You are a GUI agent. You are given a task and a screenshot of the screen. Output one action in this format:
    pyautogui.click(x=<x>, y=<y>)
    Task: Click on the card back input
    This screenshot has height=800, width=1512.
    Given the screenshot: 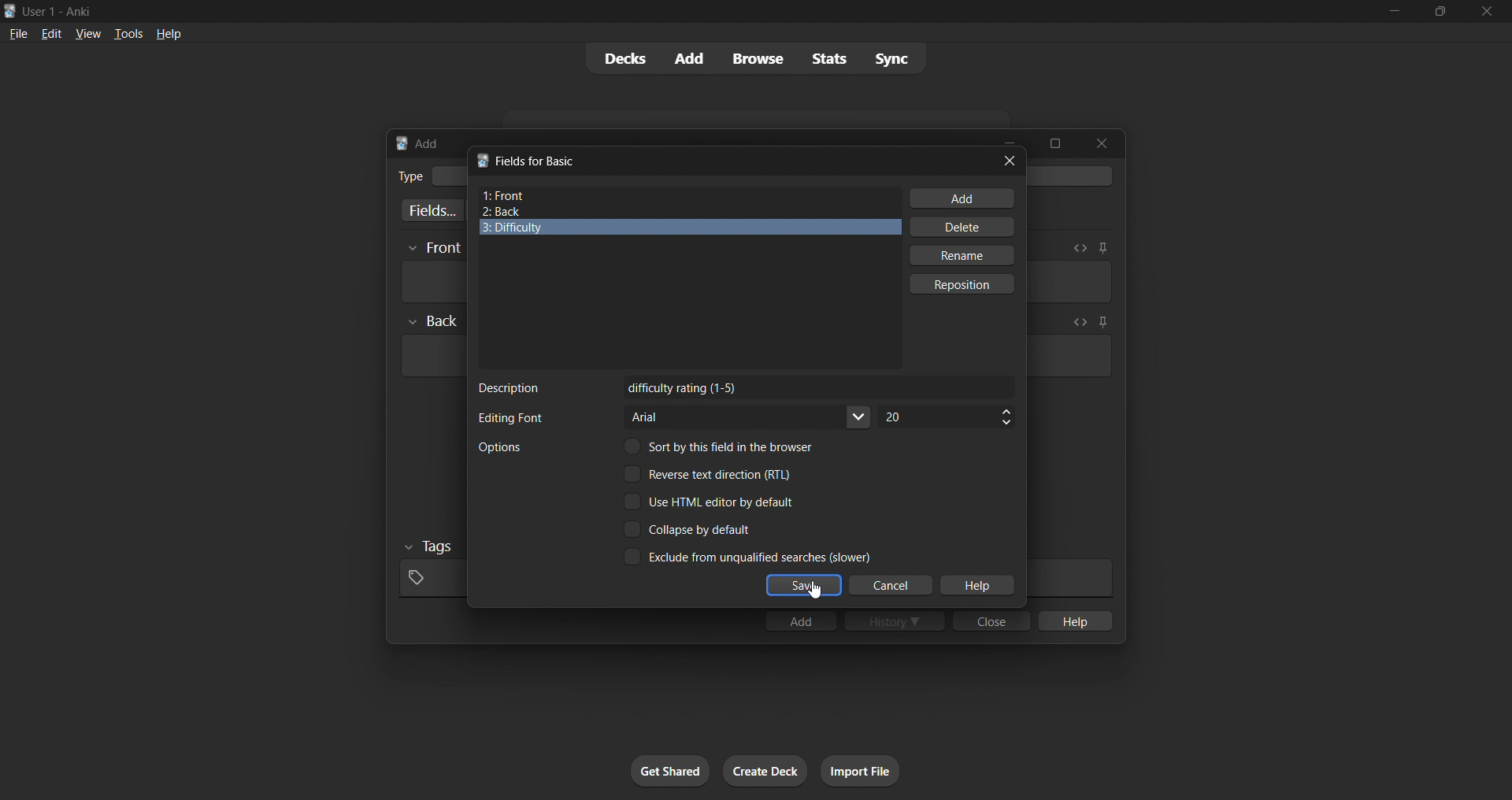 What is the action you would take?
    pyautogui.click(x=432, y=356)
    